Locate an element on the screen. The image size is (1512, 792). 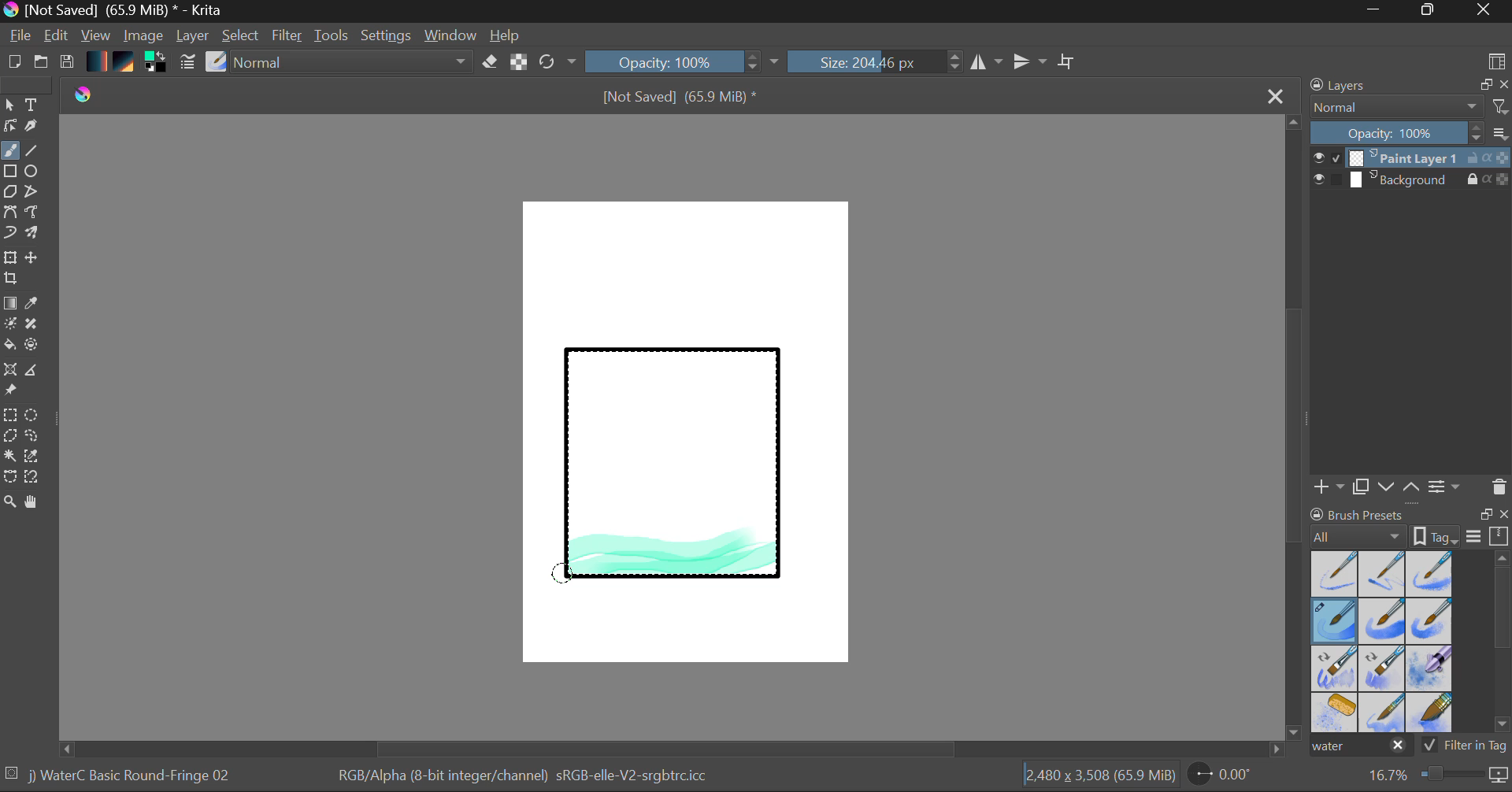
DRAG_TO Stroke 3 is located at coordinates (562, 573).